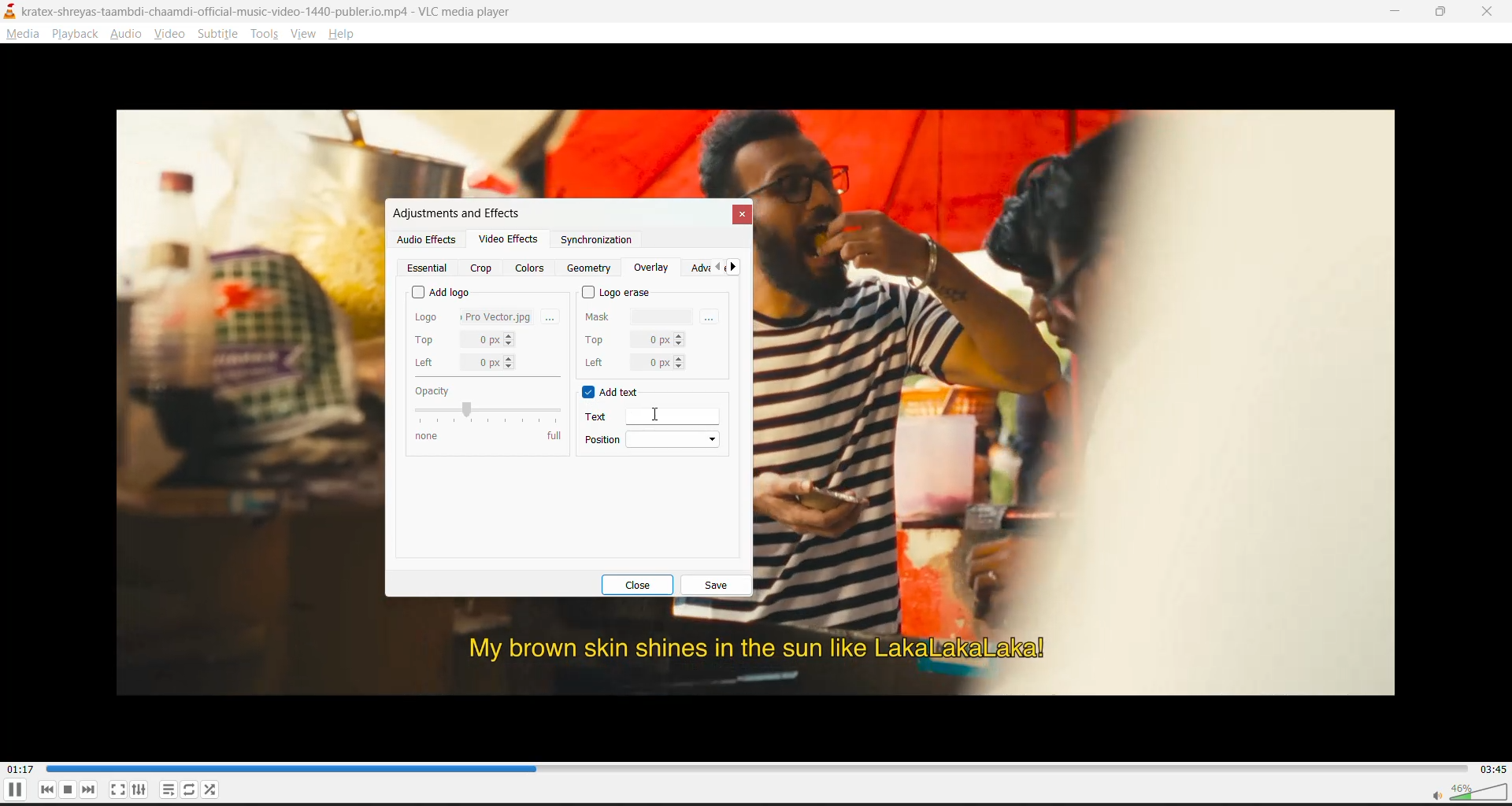  I want to click on next, so click(91, 788).